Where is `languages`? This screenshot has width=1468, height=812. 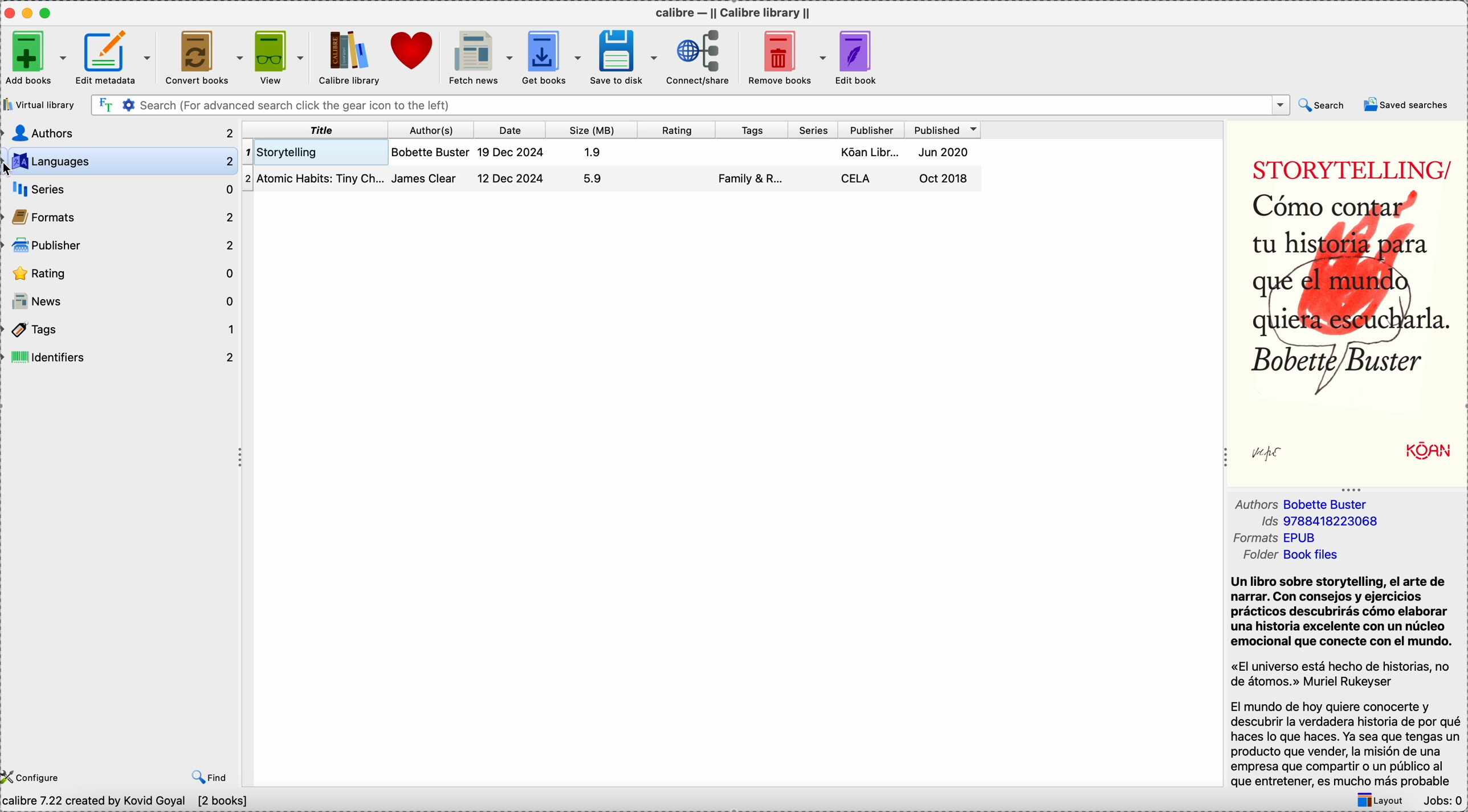
languages is located at coordinates (133, 161).